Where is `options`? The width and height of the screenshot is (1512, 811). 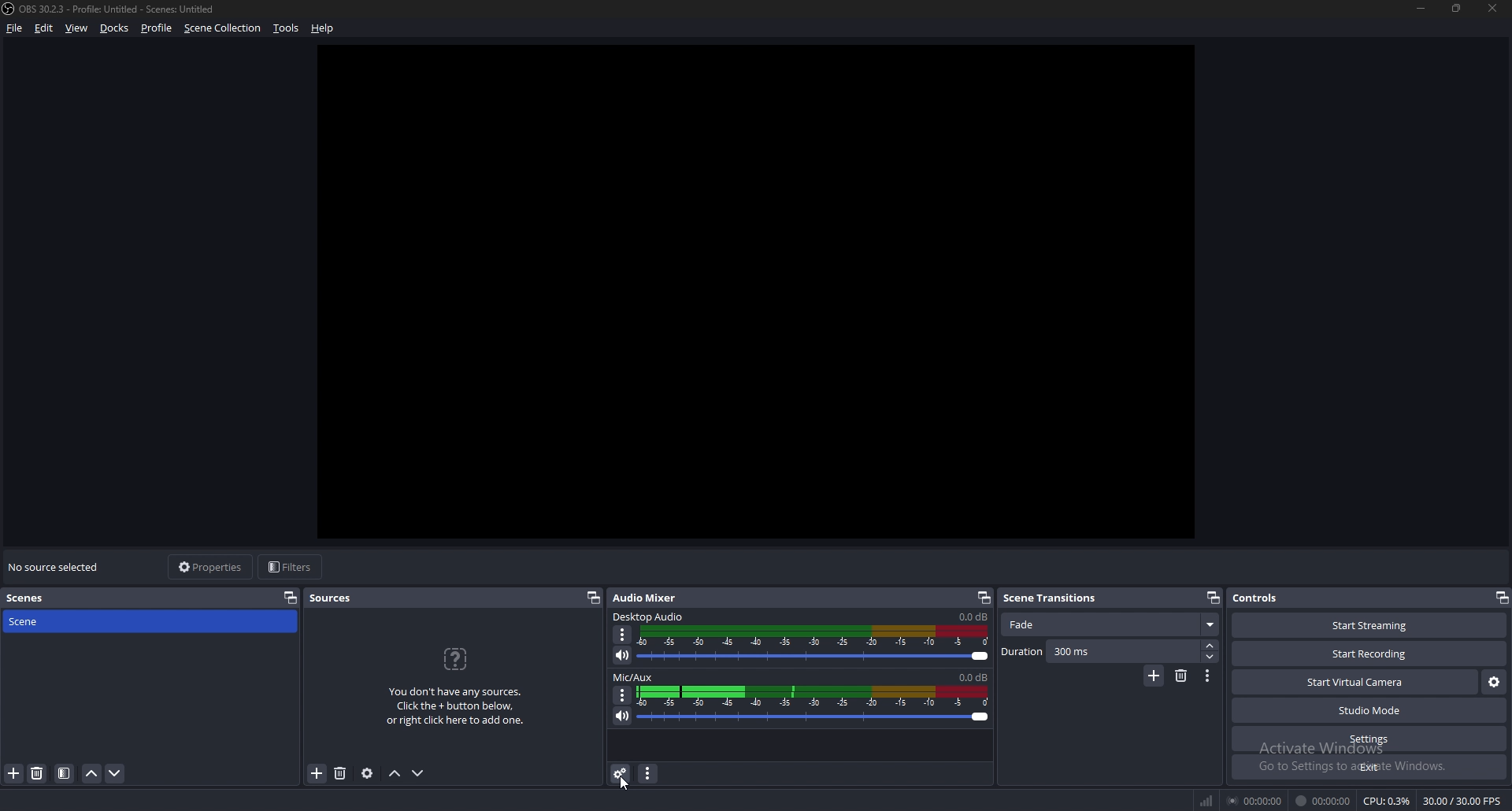
options is located at coordinates (1209, 676).